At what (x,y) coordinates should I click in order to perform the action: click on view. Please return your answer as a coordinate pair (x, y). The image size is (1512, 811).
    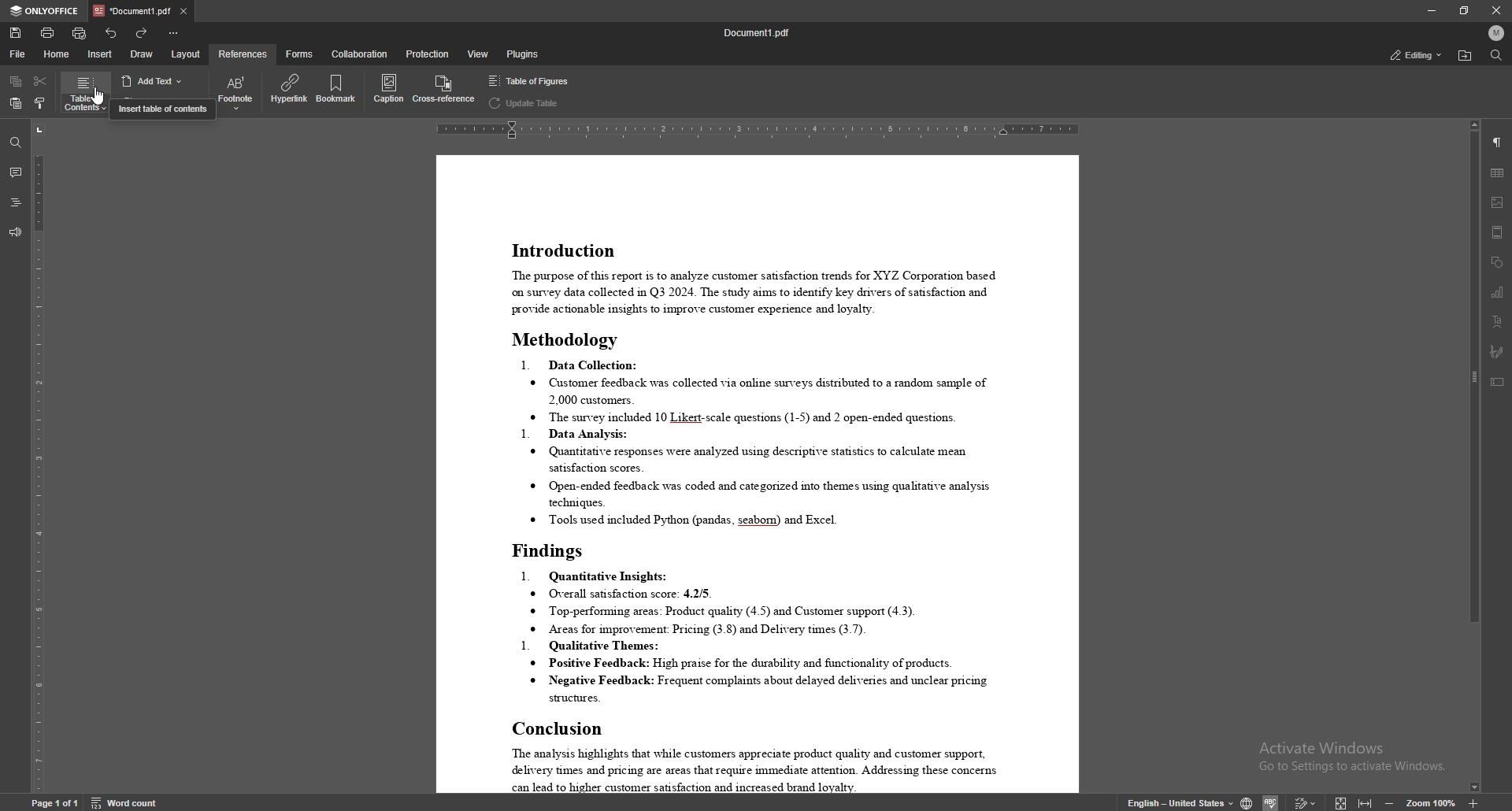
    Looking at the image, I should click on (479, 54).